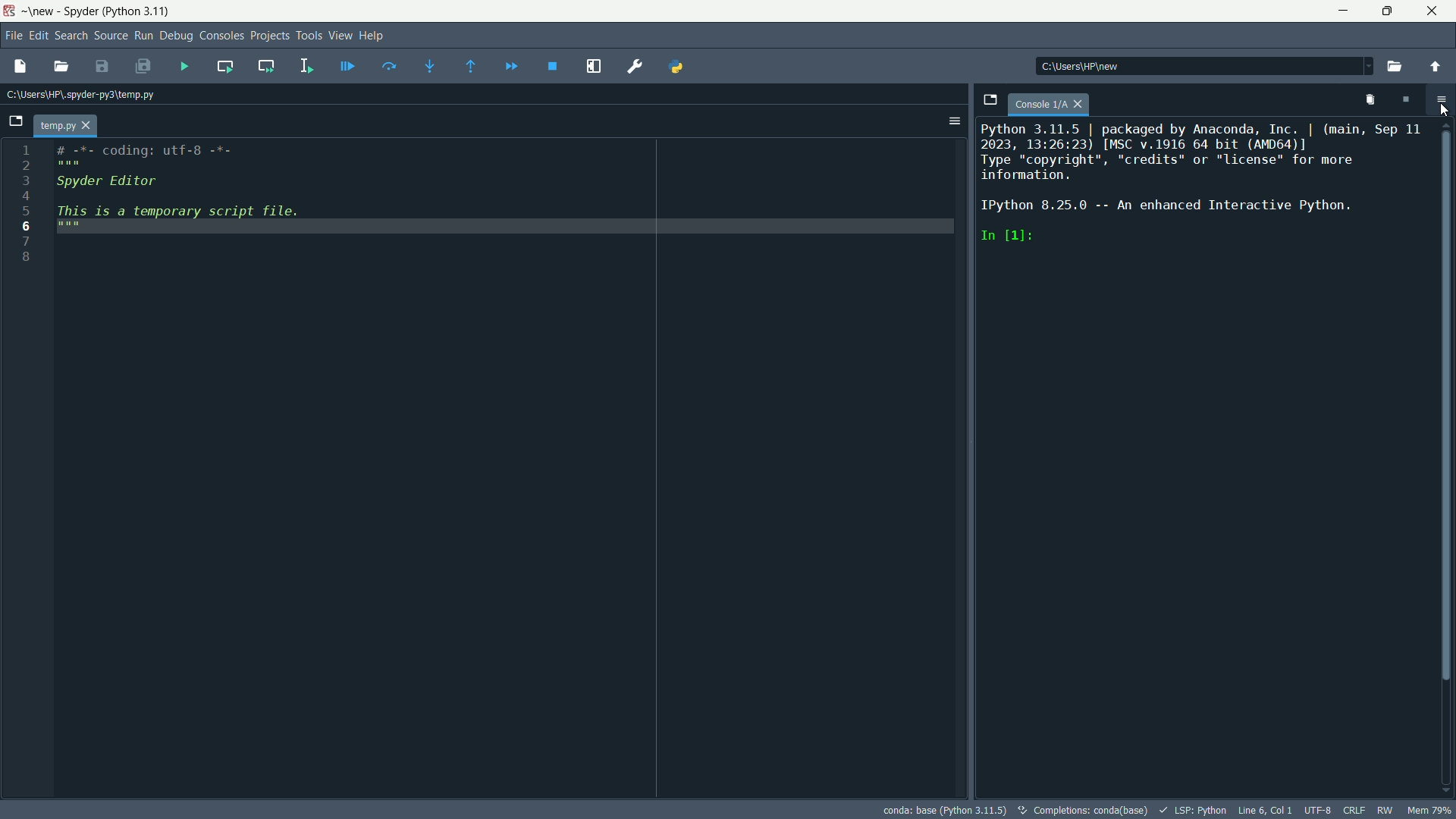 The height and width of the screenshot is (819, 1456). What do you see at coordinates (347, 64) in the screenshot?
I see `debug file` at bounding box center [347, 64].